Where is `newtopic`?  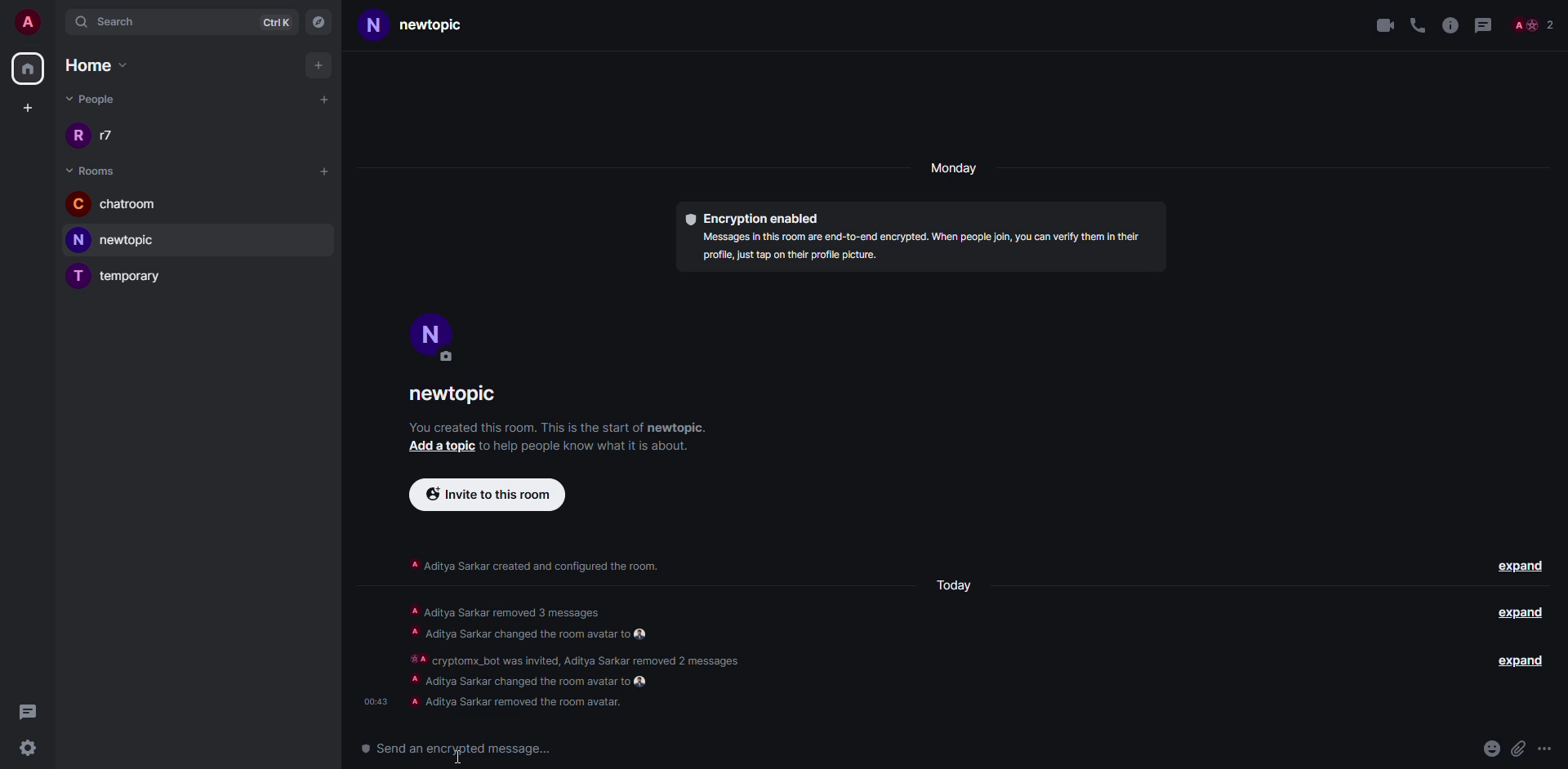 newtopic is located at coordinates (463, 395).